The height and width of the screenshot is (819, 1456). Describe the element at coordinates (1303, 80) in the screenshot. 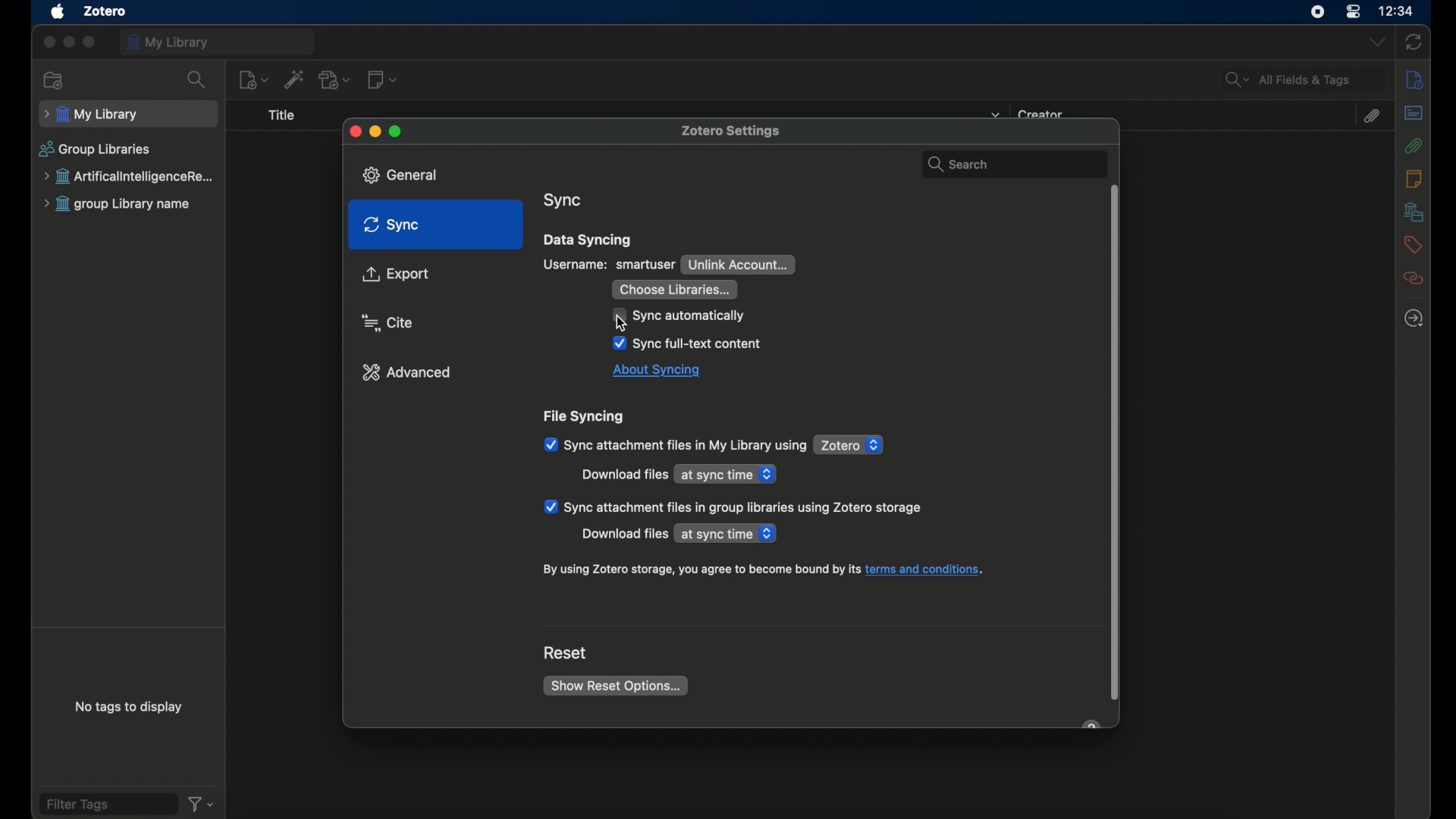

I see `all fields and tags` at that location.